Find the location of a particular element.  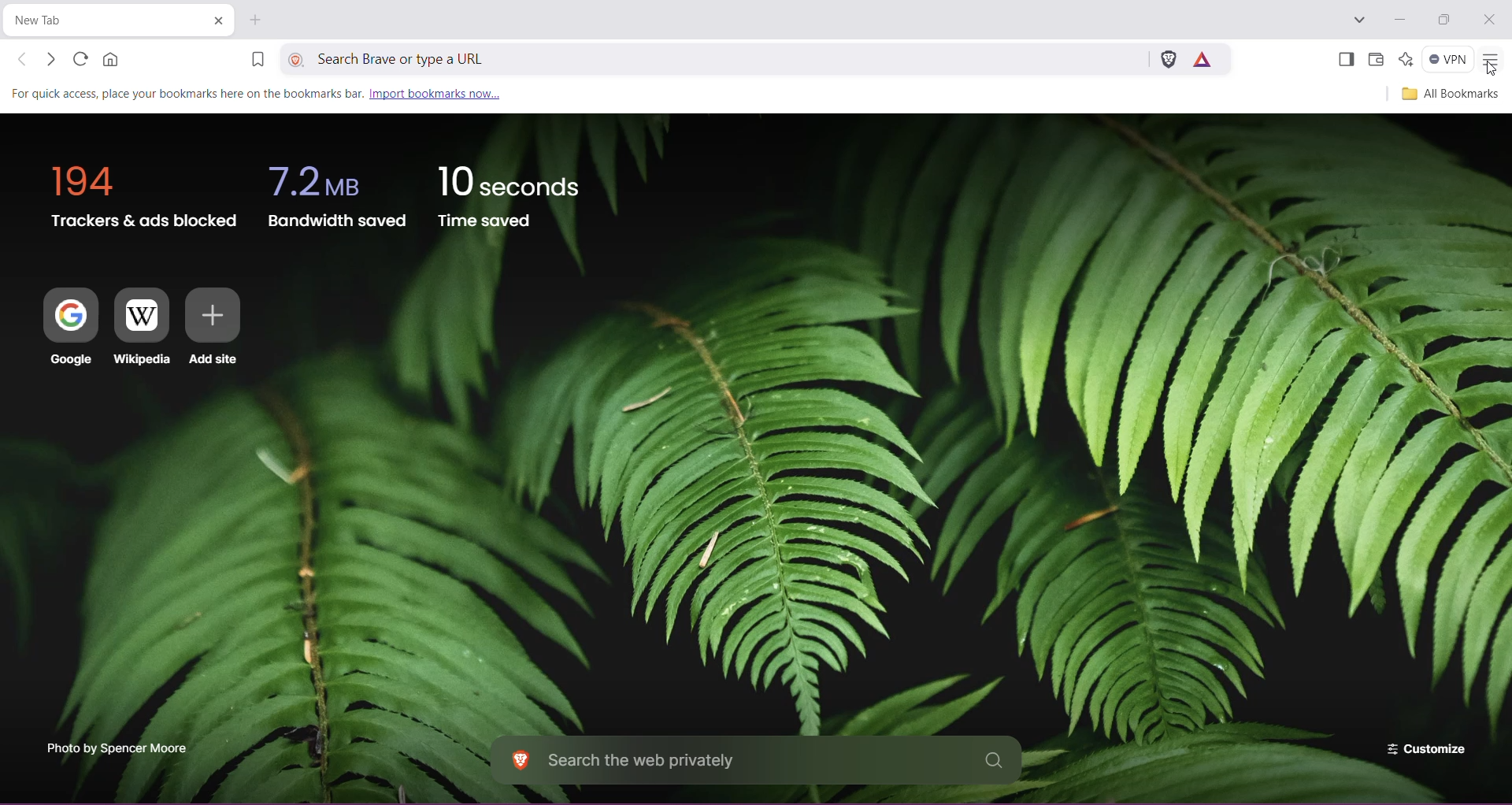

Show Sidebar is located at coordinates (1344, 61).